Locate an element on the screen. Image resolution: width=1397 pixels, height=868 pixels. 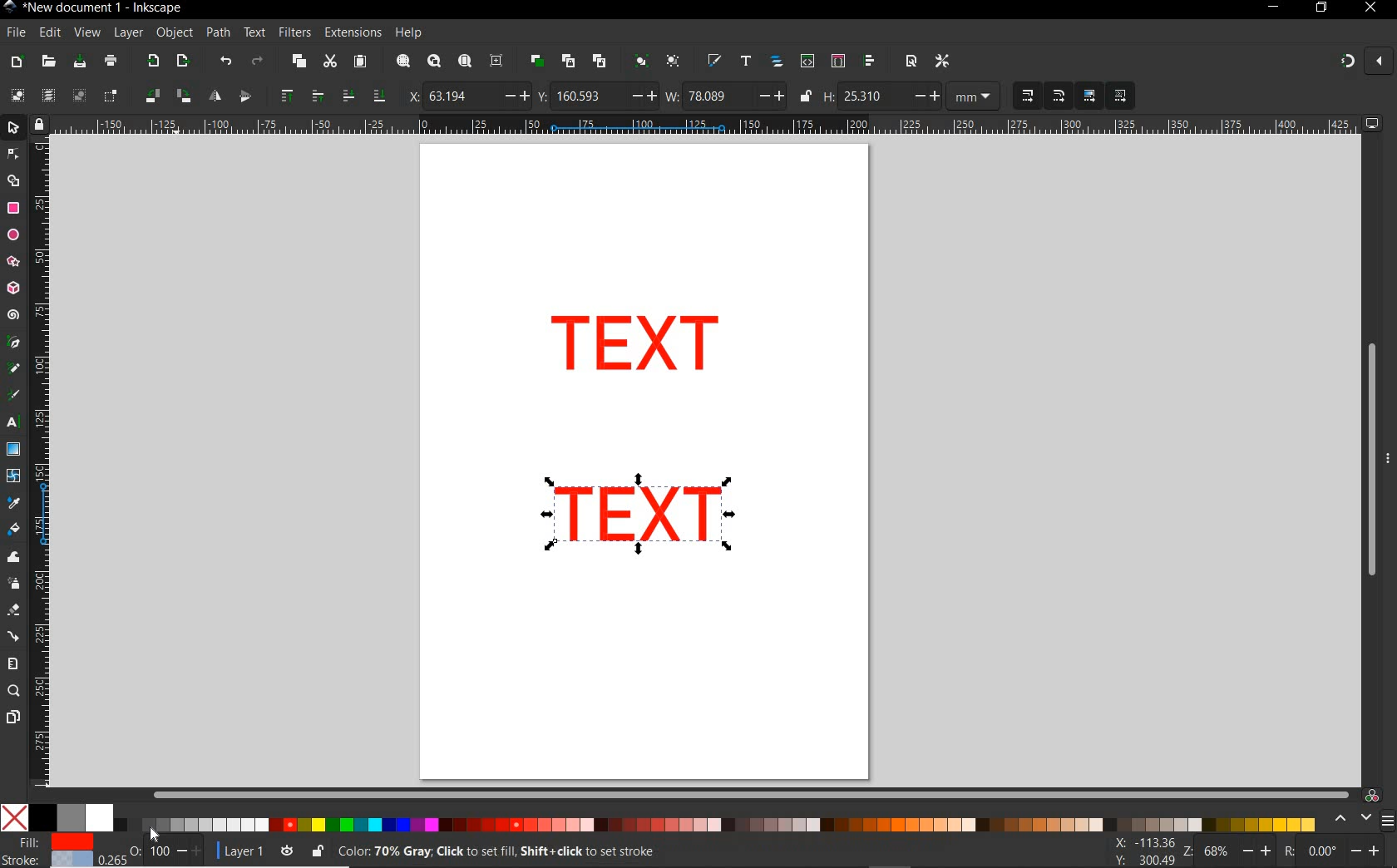
extensions is located at coordinates (352, 32).